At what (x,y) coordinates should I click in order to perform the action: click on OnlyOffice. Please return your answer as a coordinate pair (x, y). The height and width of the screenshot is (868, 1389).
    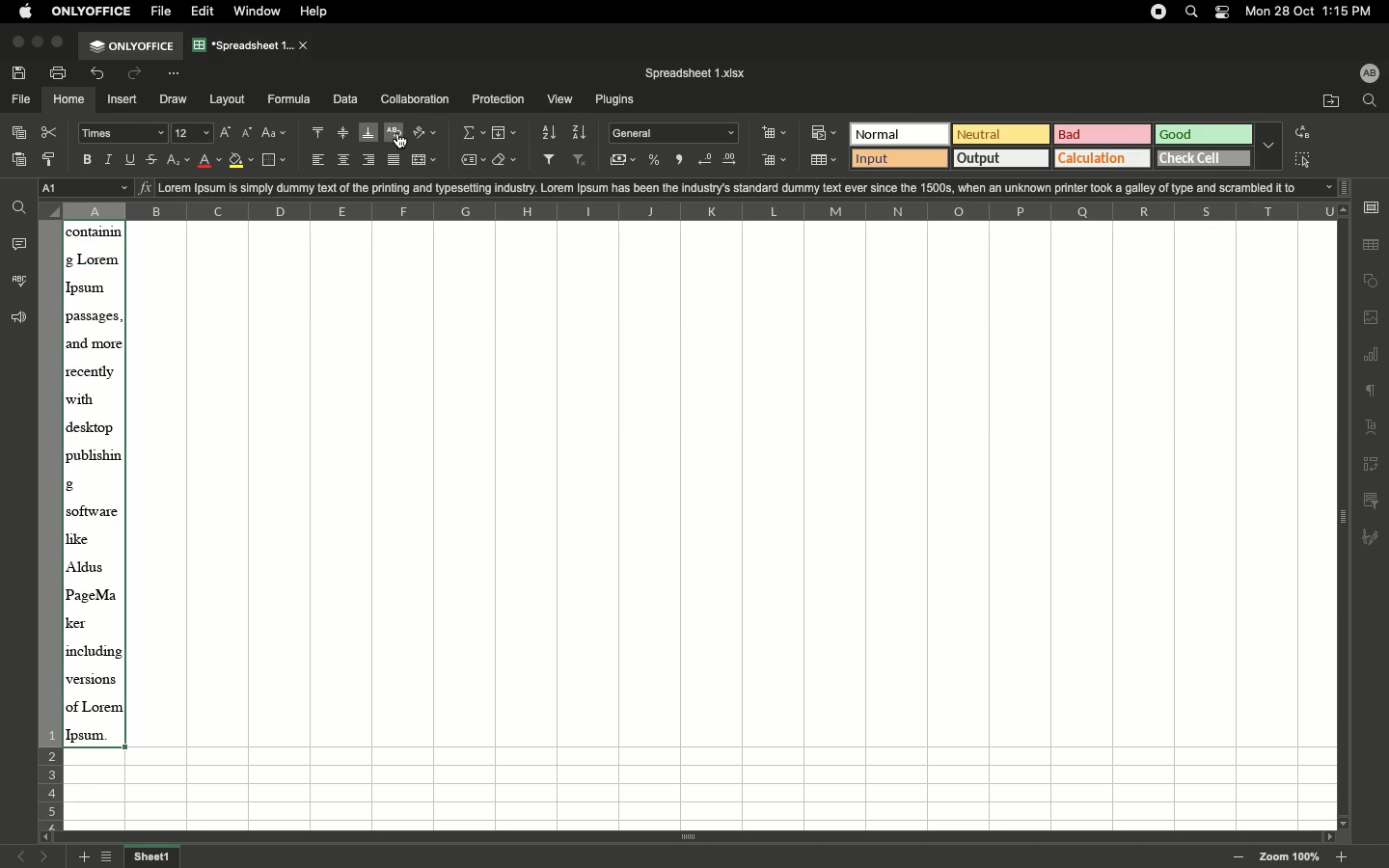
    Looking at the image, I should click on (132, 46).